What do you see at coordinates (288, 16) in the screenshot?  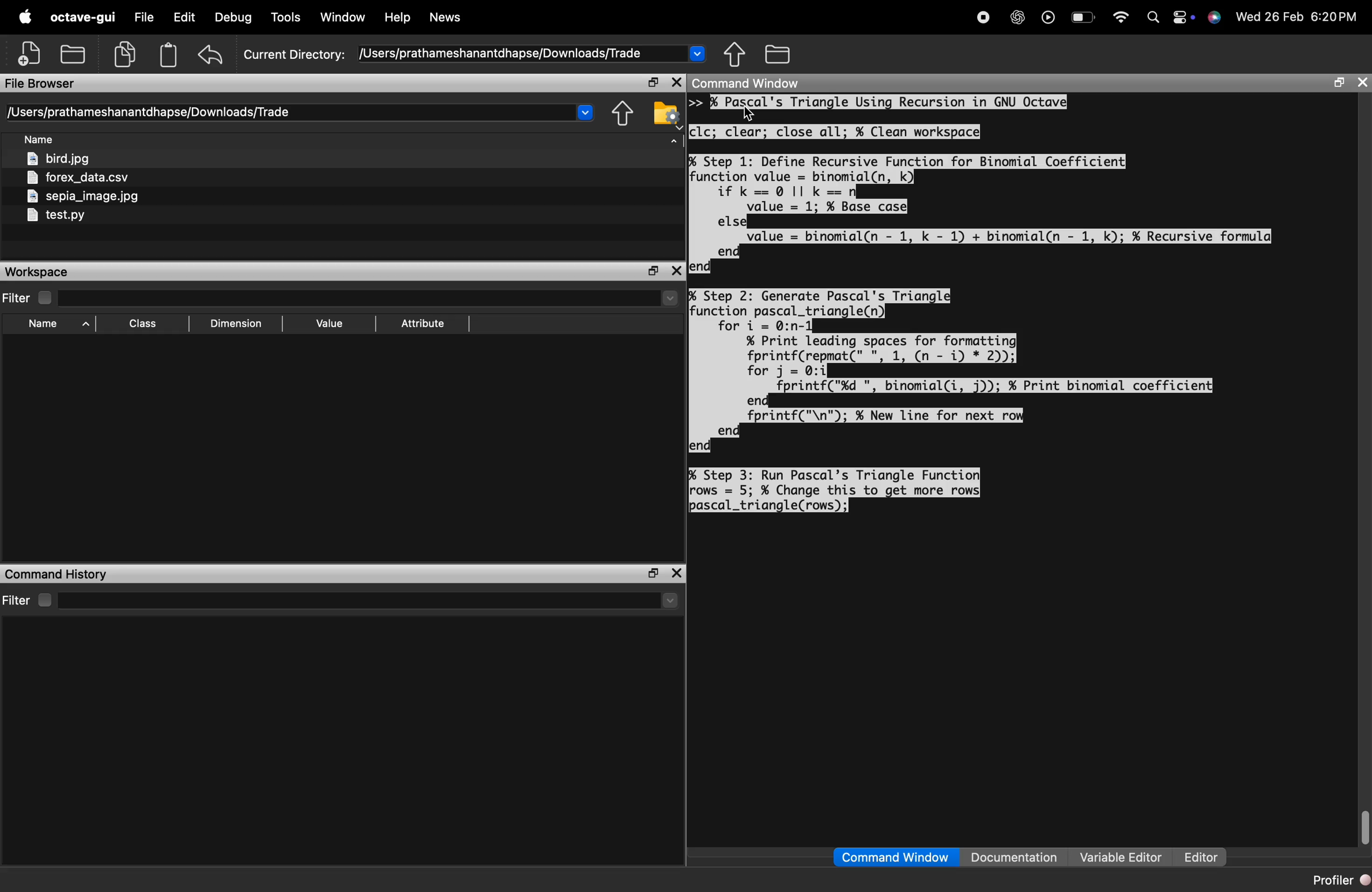 I see `Tools` at bounding box center [288, 16].